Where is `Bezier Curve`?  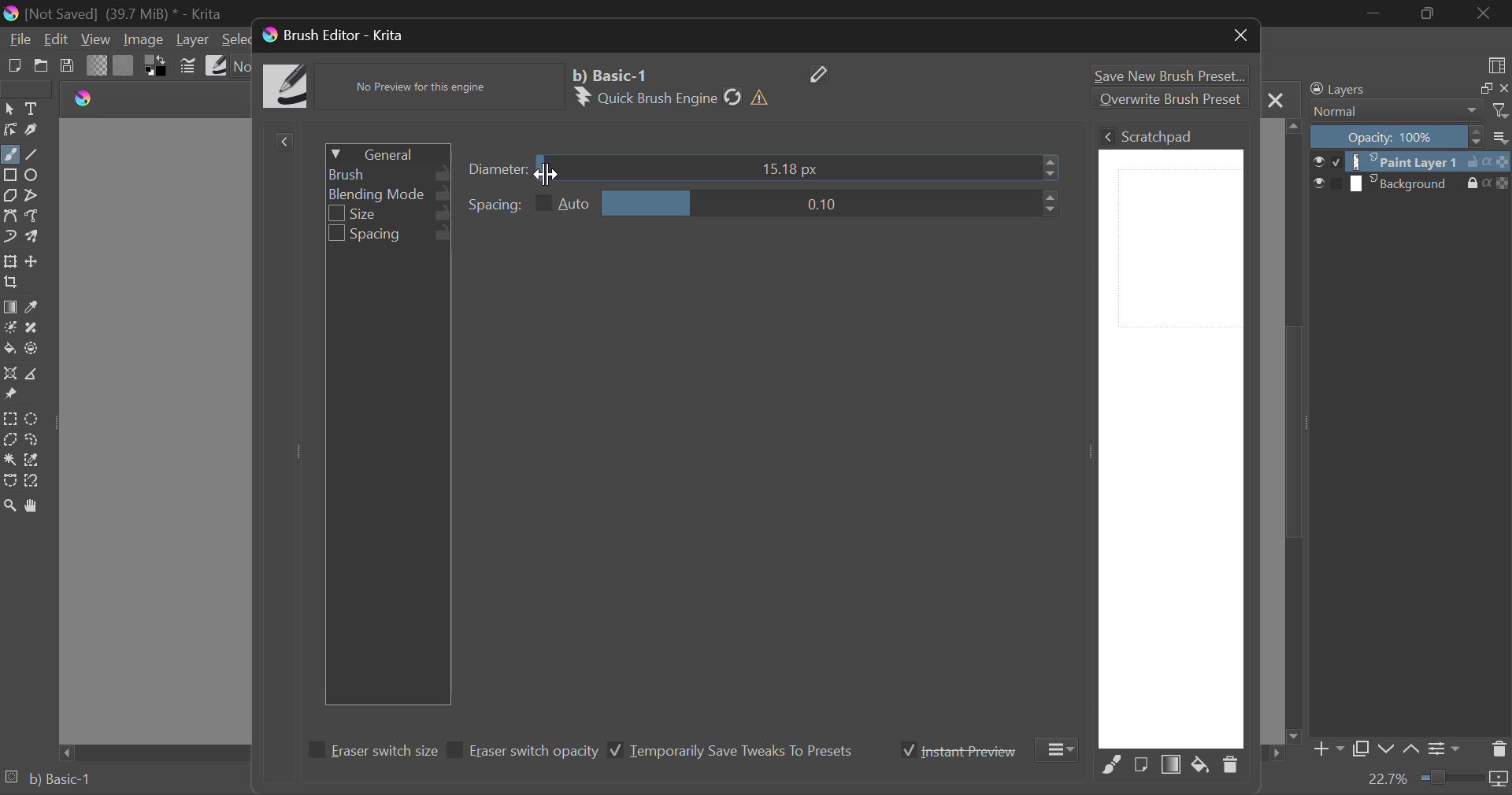
Bezier Curve is located at coordinates (13, 216).